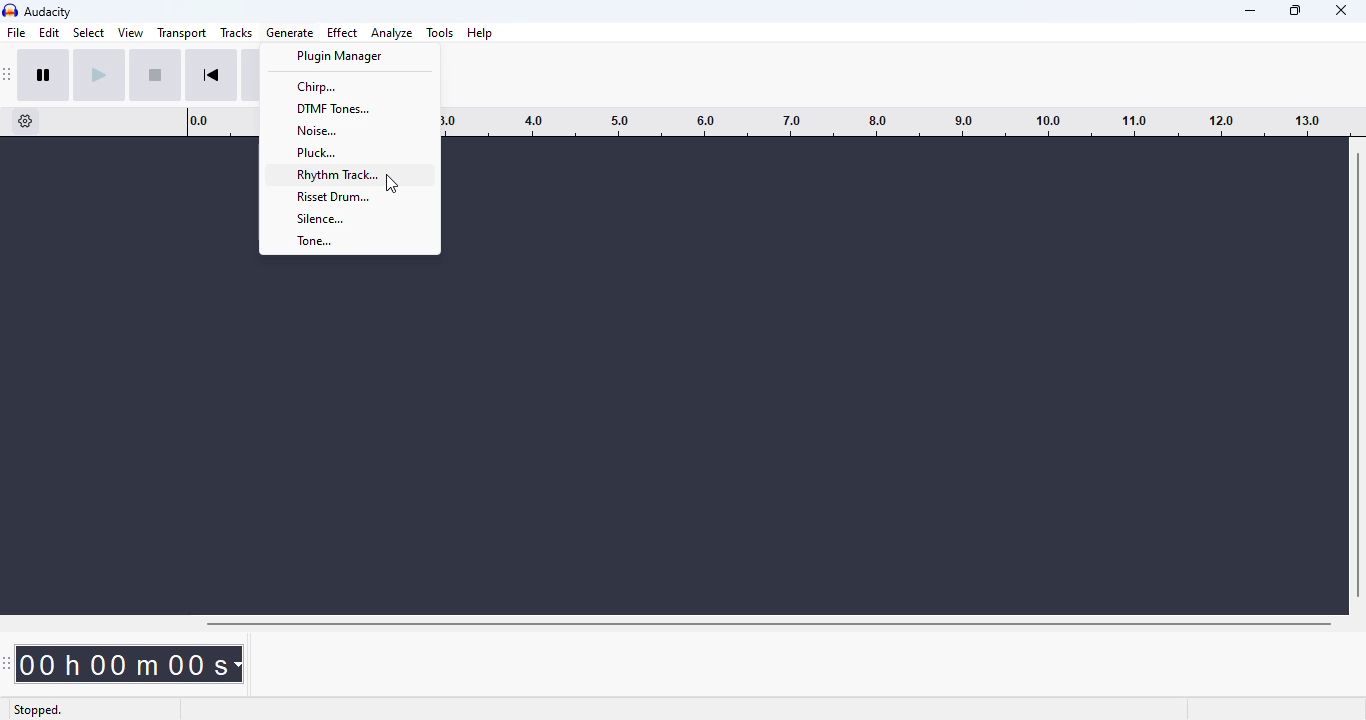 This screenshot has width=1366, height=720. Describe the element at coordinates (347, 240) in the screenshot. I see `tone` at that location.